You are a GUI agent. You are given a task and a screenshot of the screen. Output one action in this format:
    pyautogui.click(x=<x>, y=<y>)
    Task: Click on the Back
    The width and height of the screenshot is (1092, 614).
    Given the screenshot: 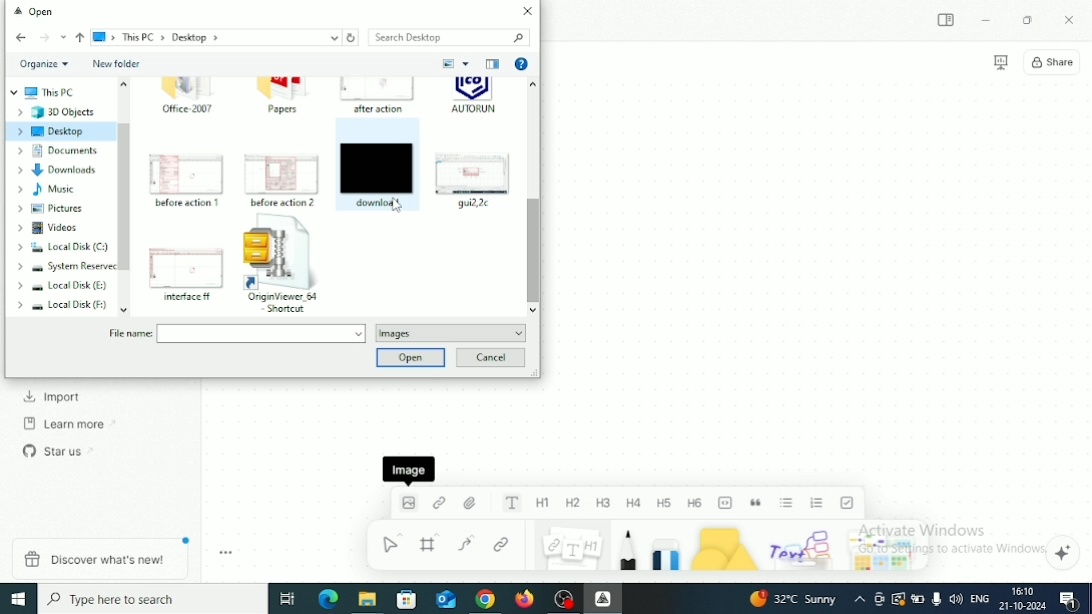 What is the action you would take?
    pyautogui.click(x=21, y=38)
    